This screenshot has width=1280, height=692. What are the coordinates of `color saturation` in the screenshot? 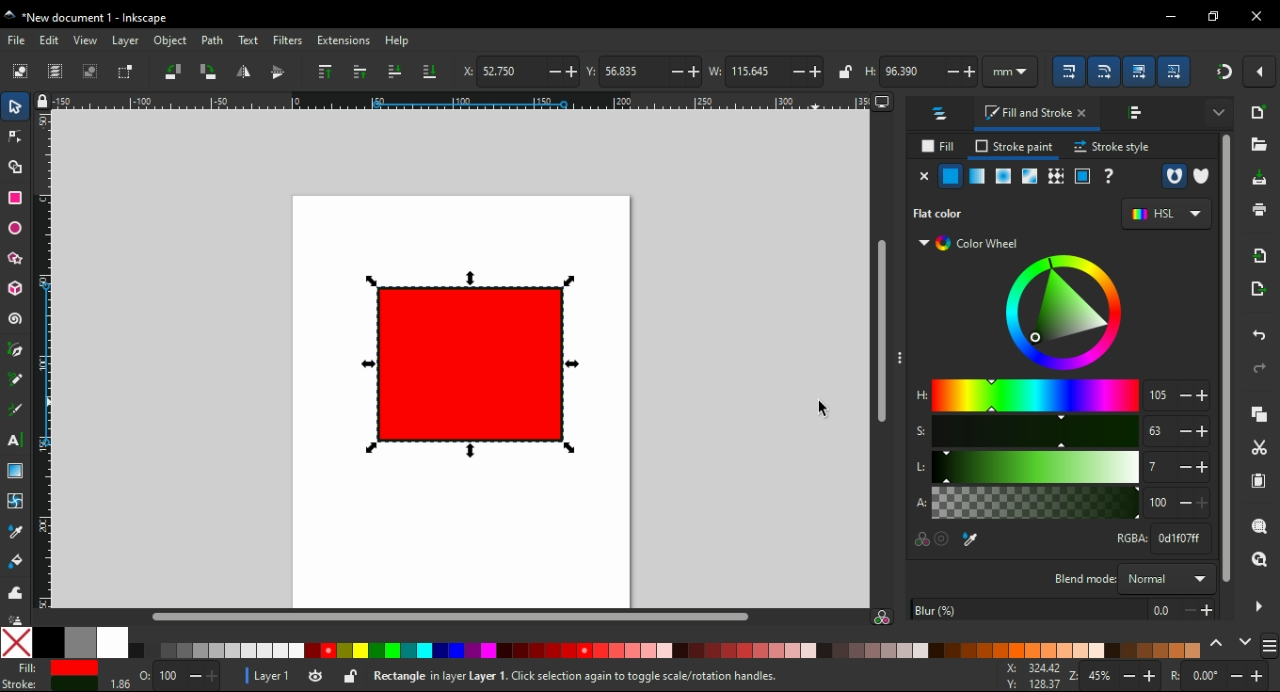 It's located at (882, 615).